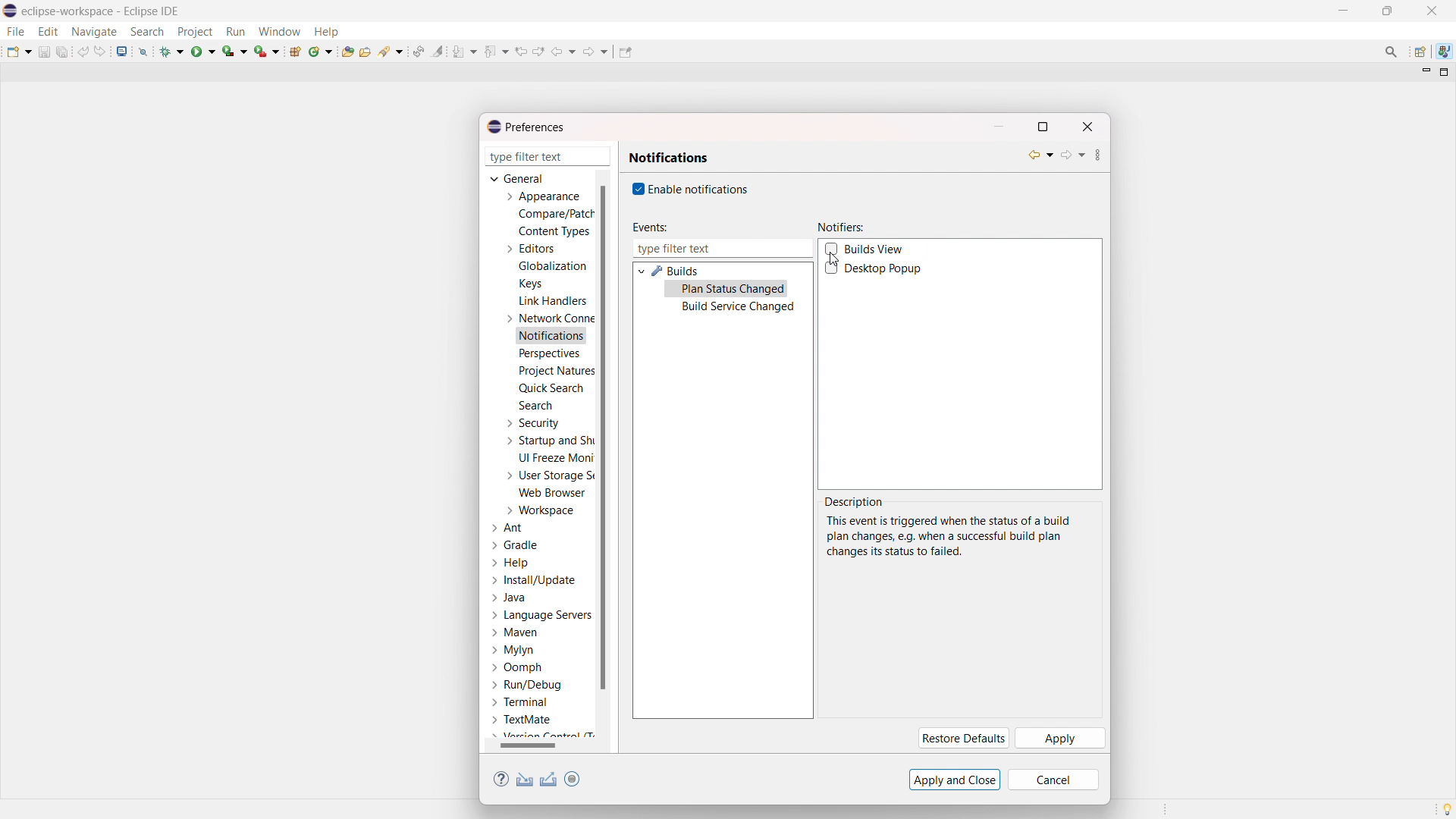  What do you see at coordinates (538, 745) in the screenshot?
I see `scrollbar` at bounding box center [538, 745].